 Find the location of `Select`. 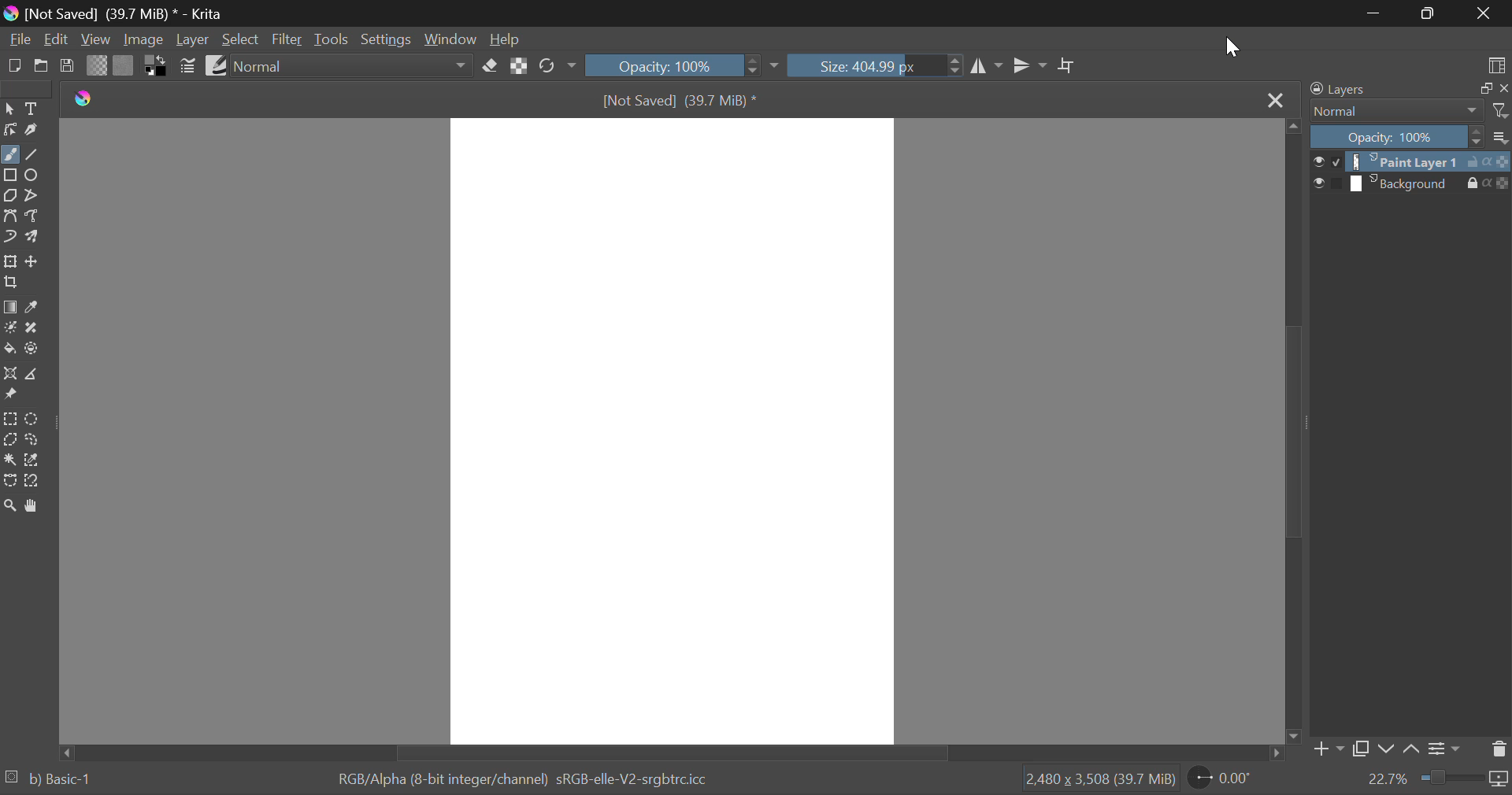

Select is located at coordinates (9, 109).